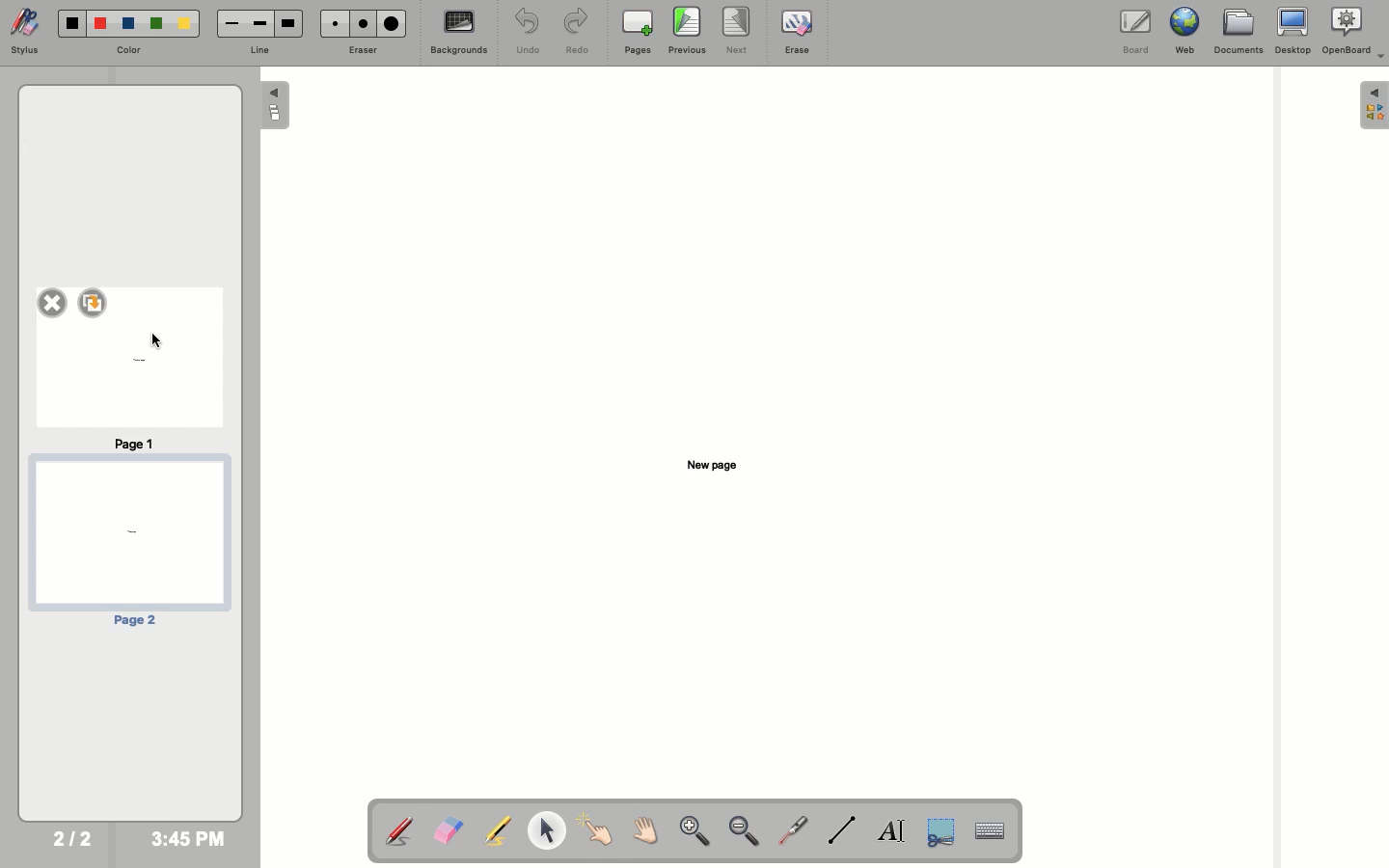  What do you see at coordinates (288, 24) in the screenshot?
I see `Large line` at bounding box center [288, 24].